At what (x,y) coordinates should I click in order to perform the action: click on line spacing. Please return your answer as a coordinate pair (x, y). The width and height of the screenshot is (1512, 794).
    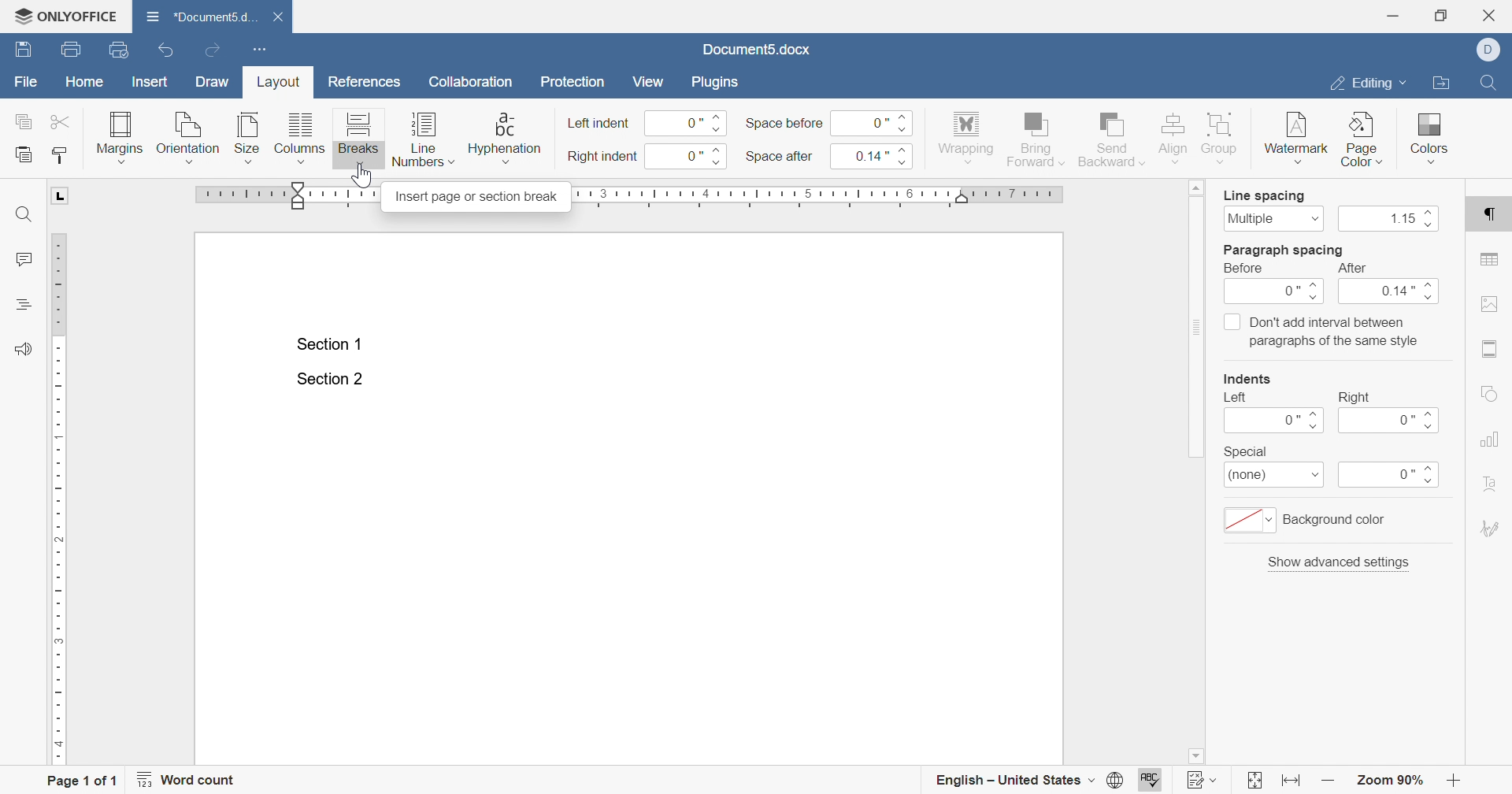
    Looking at the image, I should click on (1265, 196).